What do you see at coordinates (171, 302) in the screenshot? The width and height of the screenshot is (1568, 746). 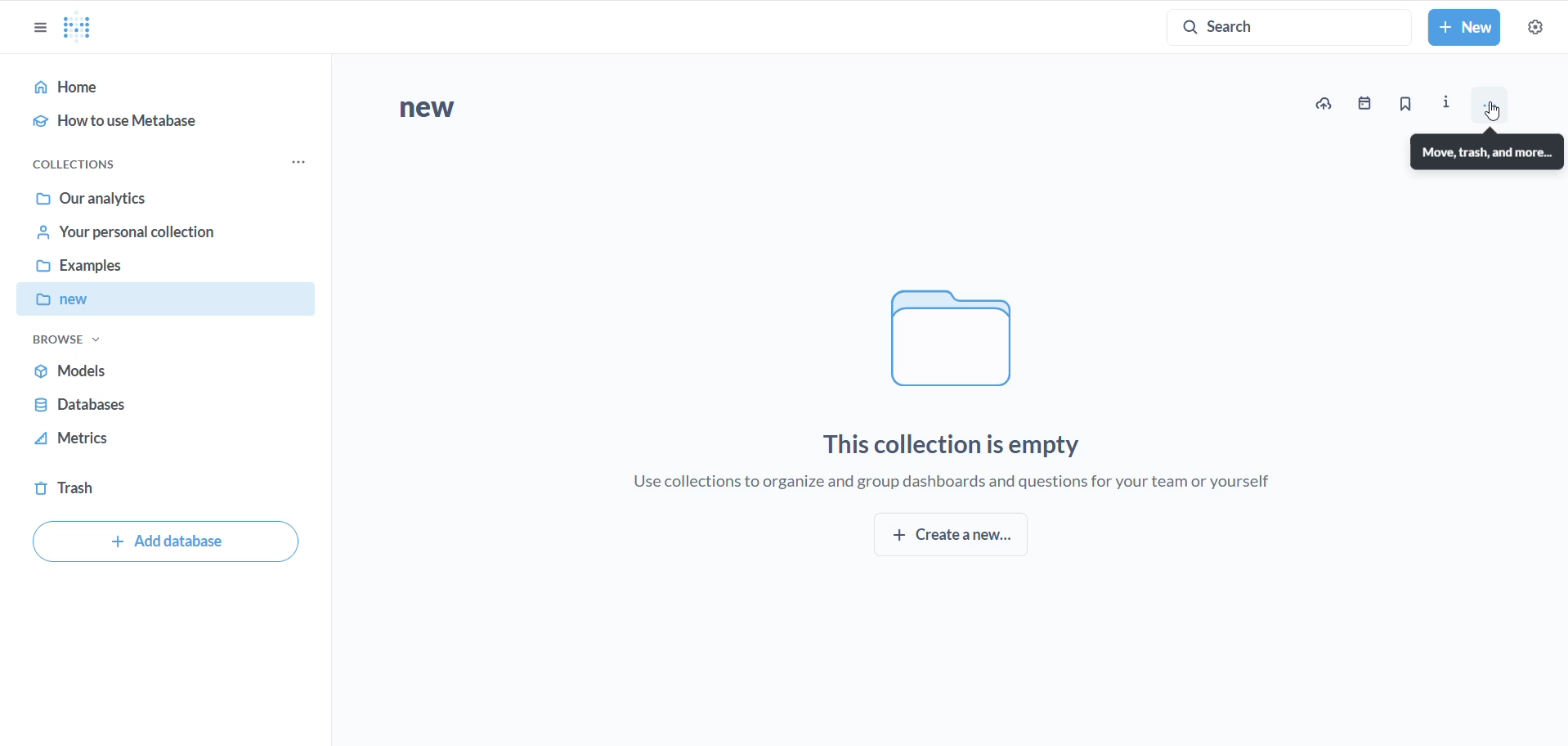 I see `new` at bounding box center [171, 302].